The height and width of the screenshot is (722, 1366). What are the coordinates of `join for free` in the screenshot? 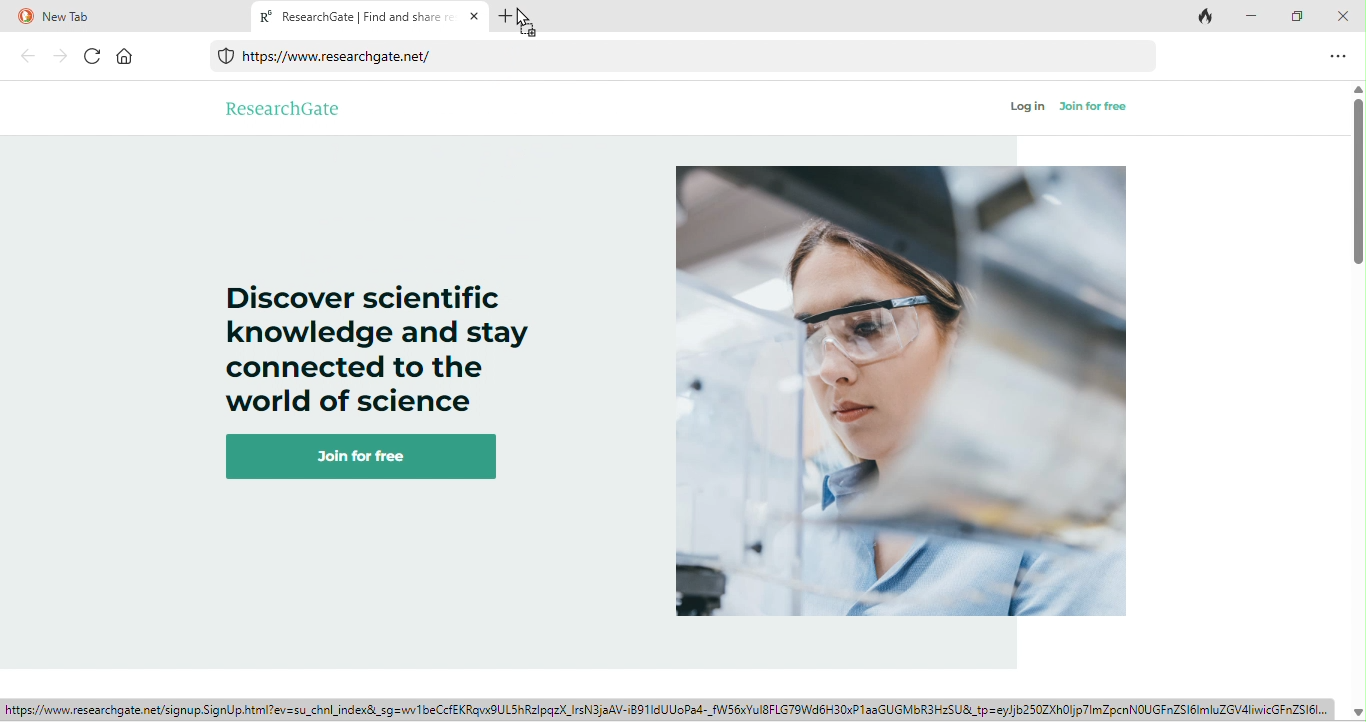 It's located at (1093, 107).